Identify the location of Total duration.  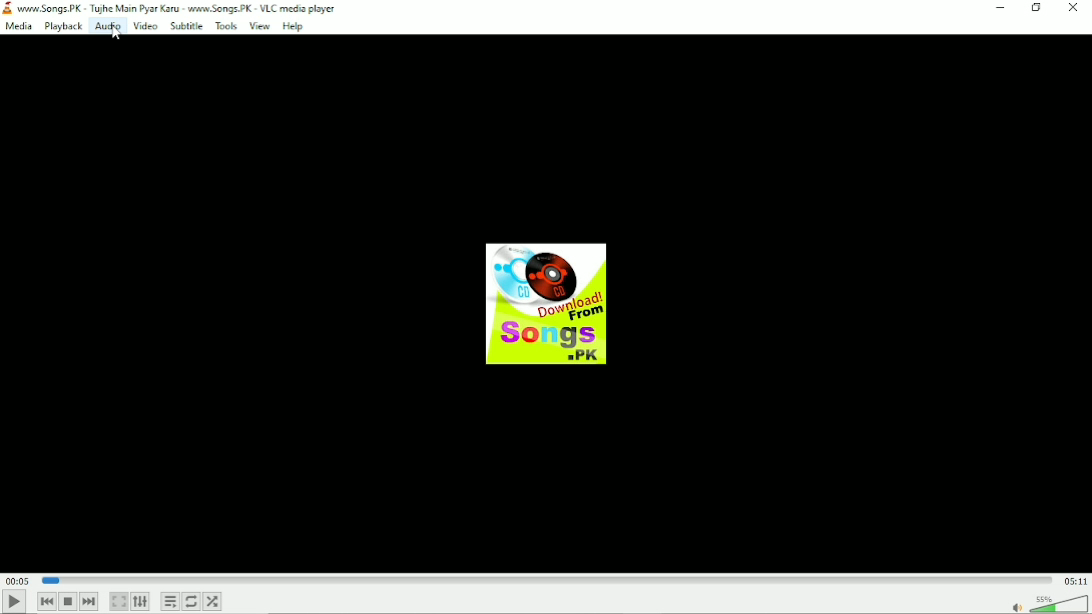
(1076, 580).